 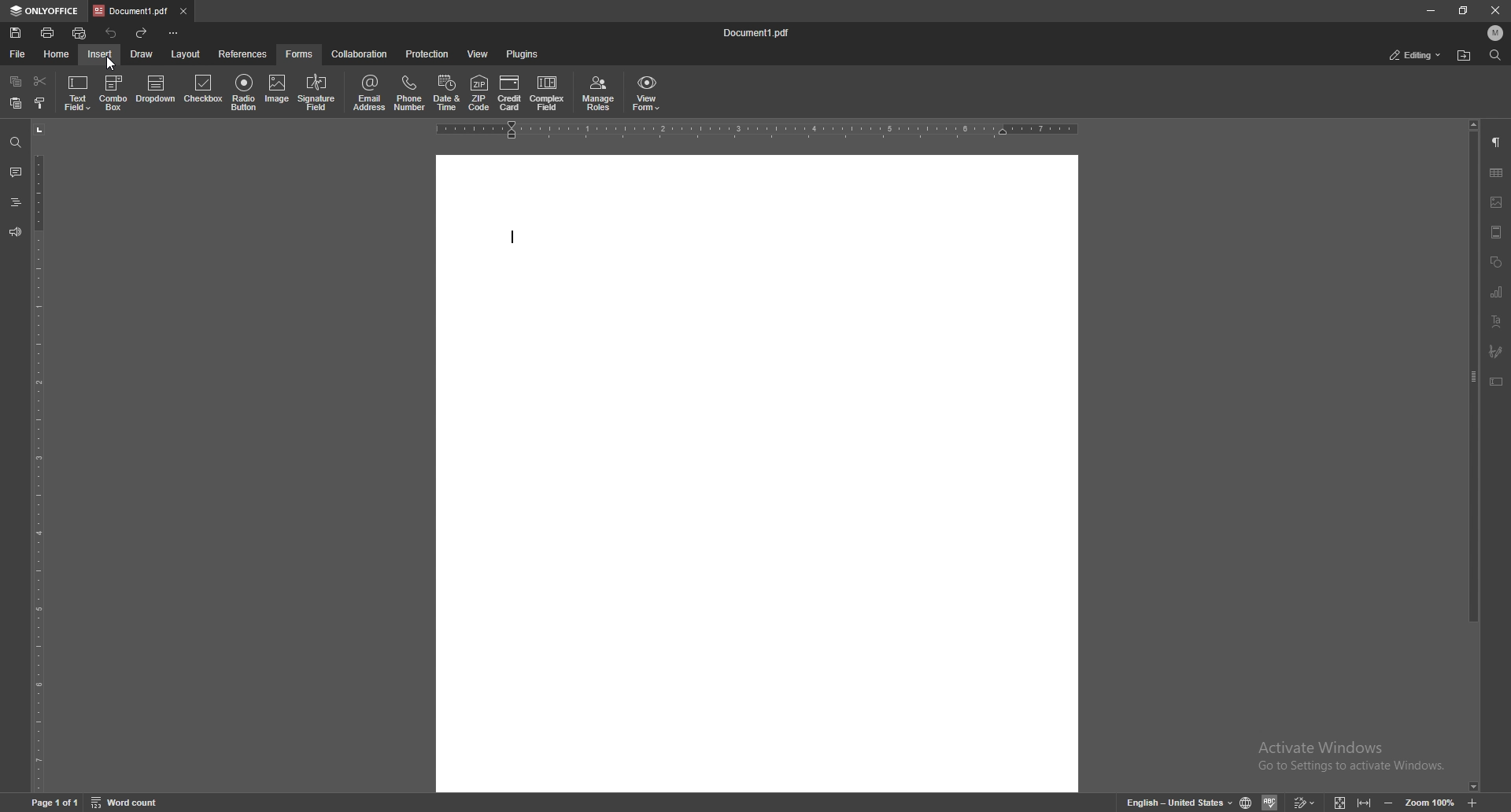 What do you see at coordinates (1389, 802) in the screenshot?
I see `zoom out` at bounding box center [1389, 802].